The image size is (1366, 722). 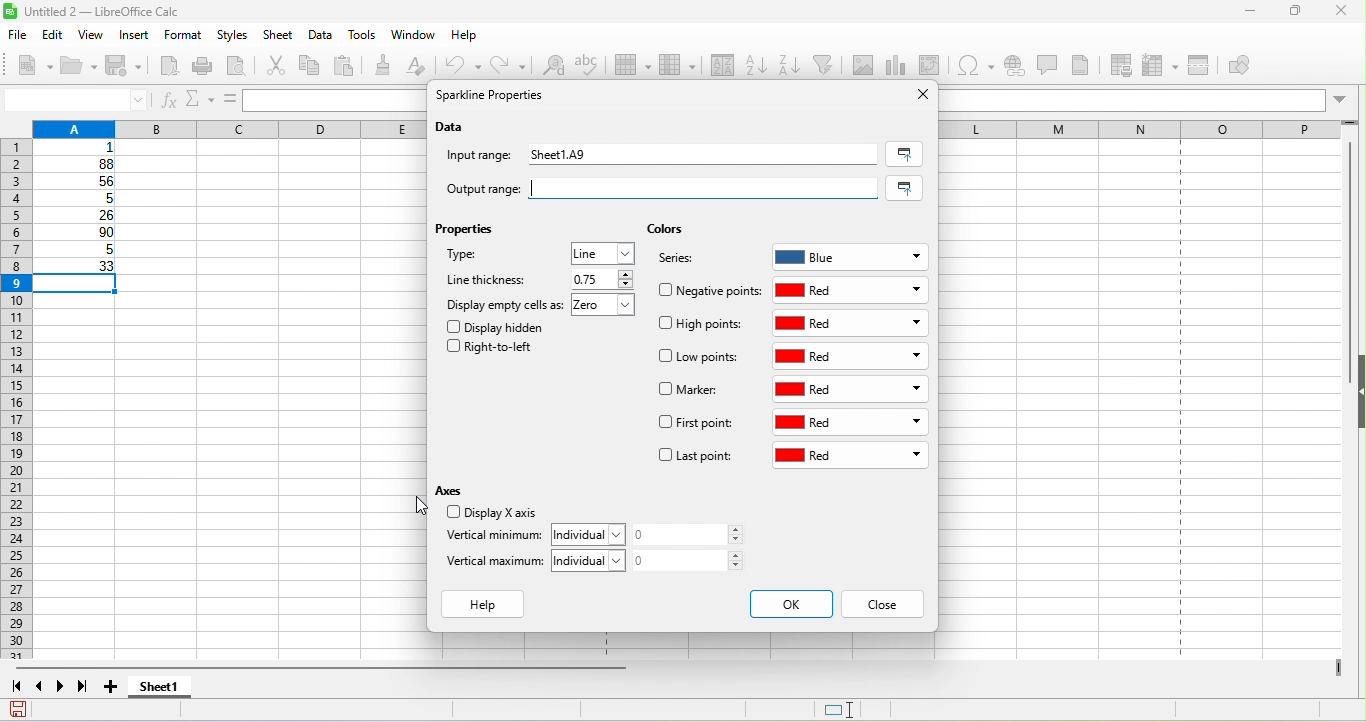 What do you see at coordinates (850, 424) in the screenshot?
I see `red` at bounding box center [850, 424].